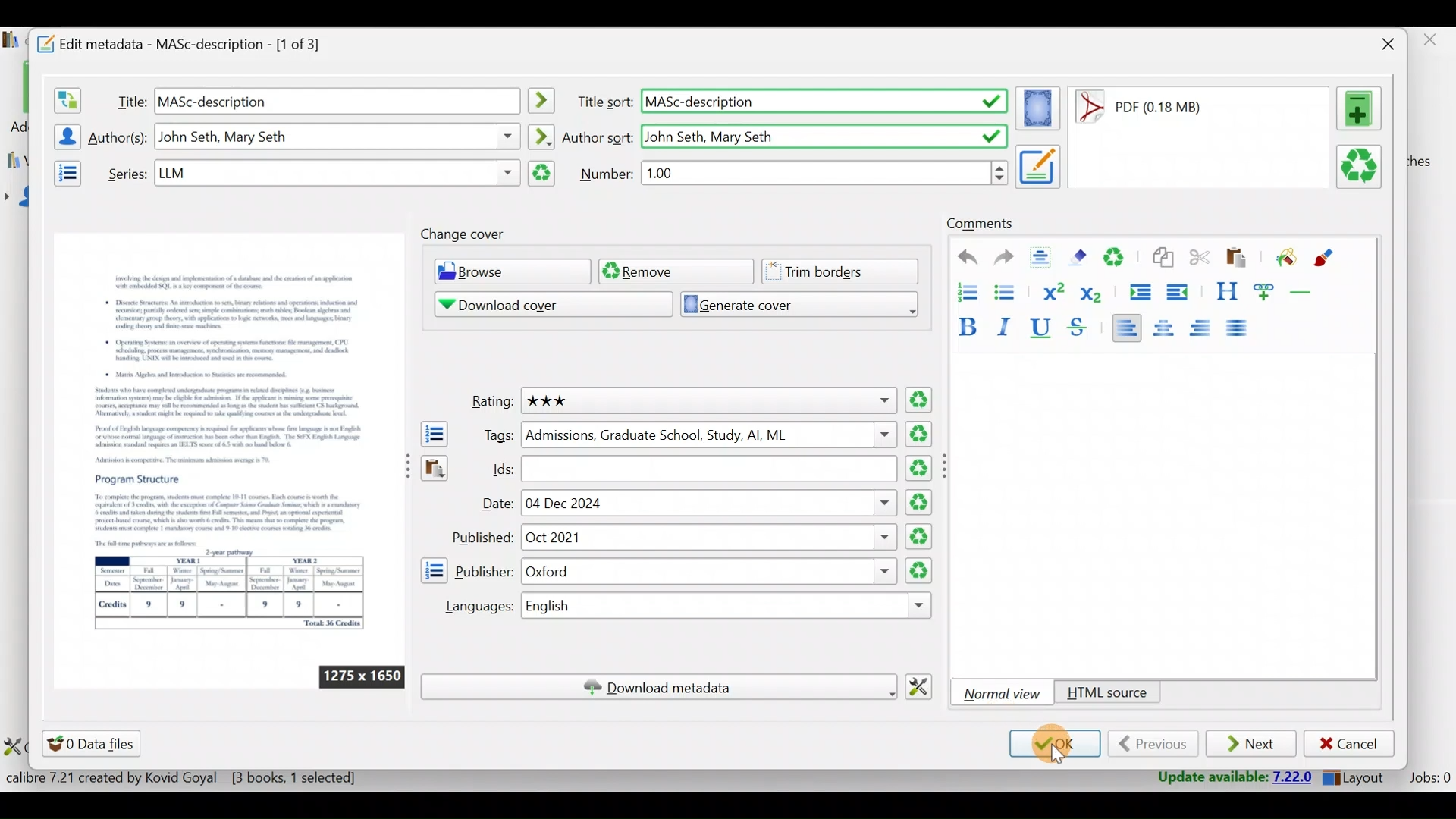  What do you see at coordinates (1079, 329) in the screenshot?
I see `Strikethrough` at bounding box center [1079, 329].